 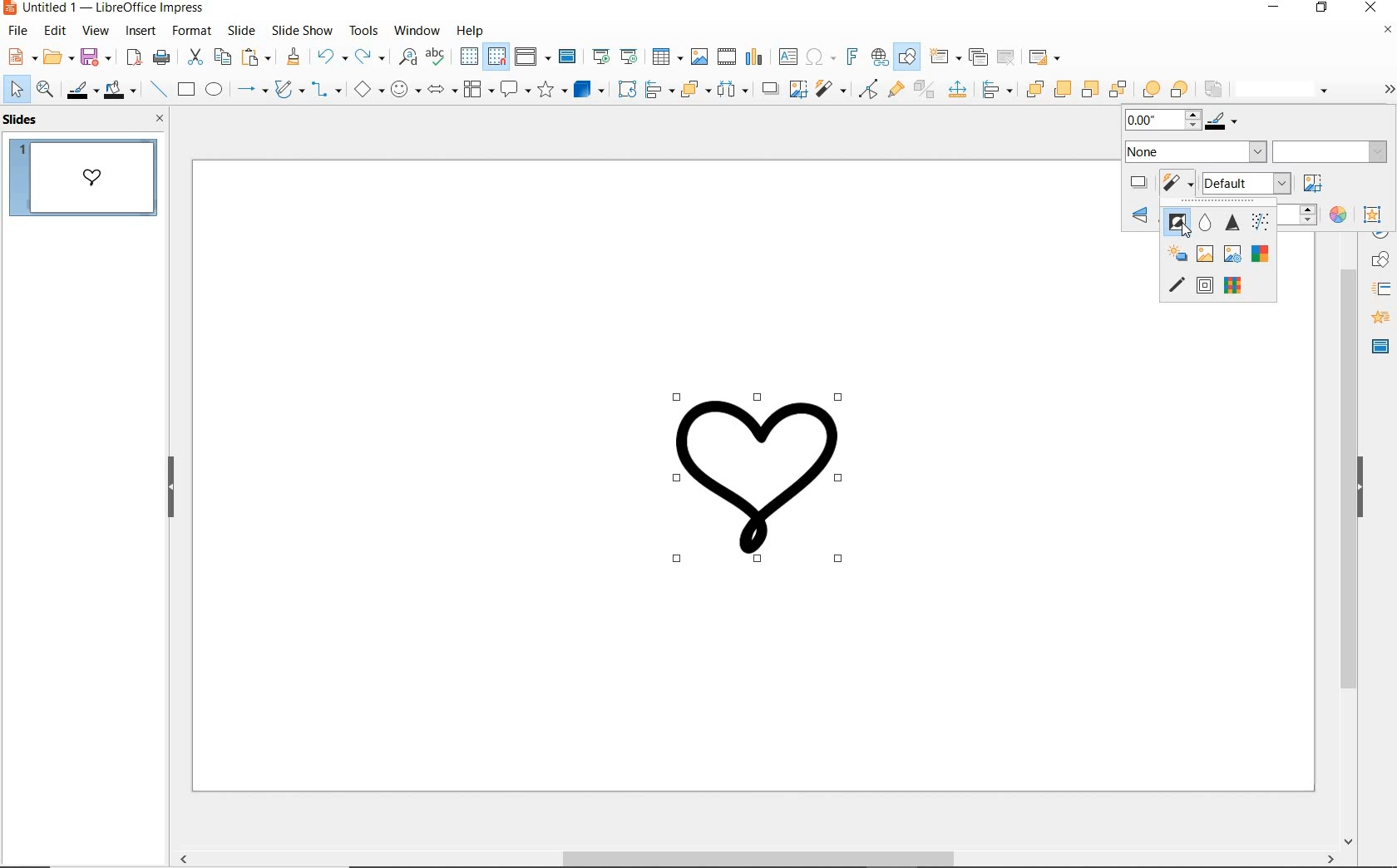 What do you see at coordinates (324, 91) in the screenshot?
I see `connectors` at bounding box center [324, 91].